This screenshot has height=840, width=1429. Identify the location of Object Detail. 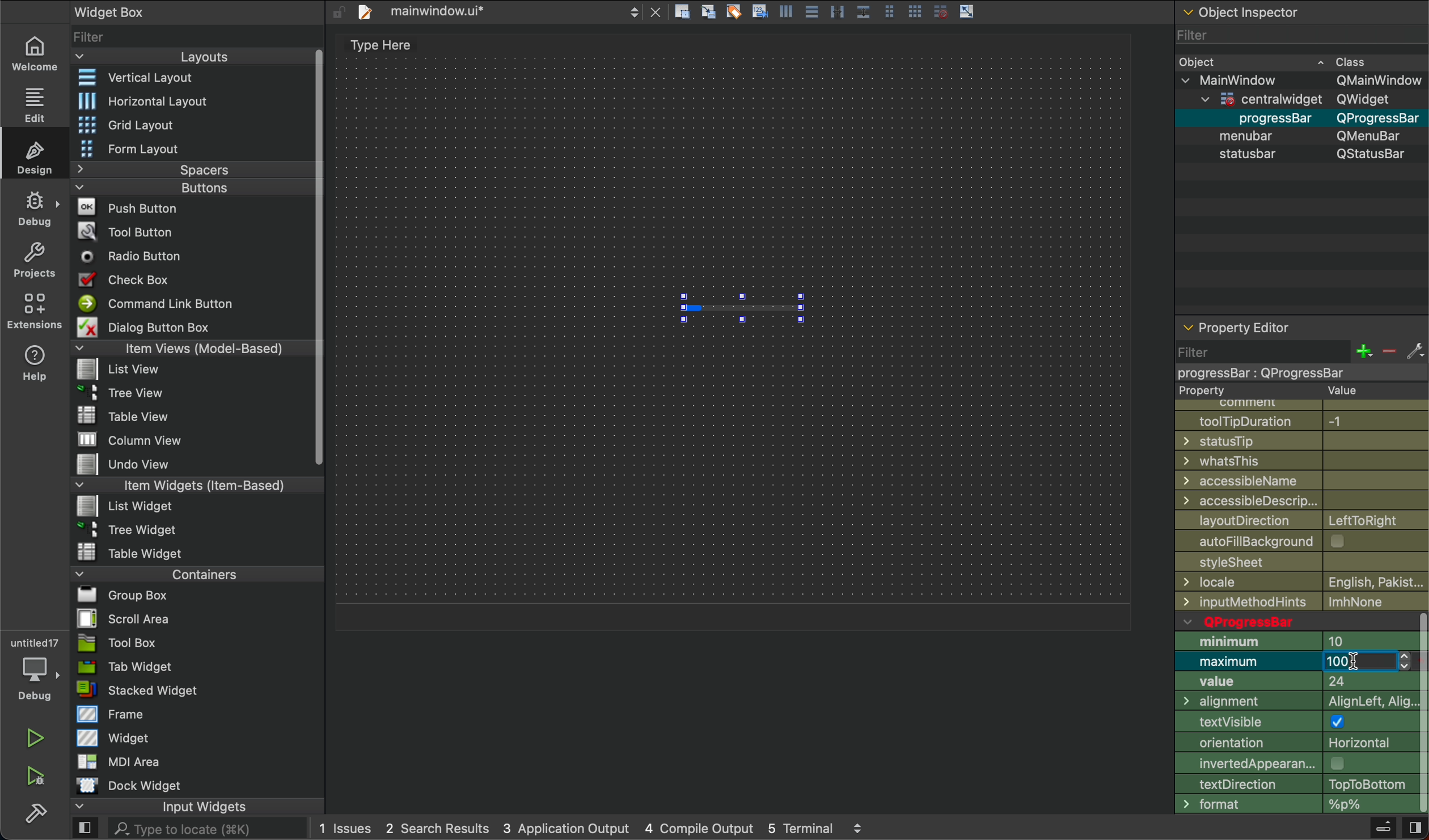
(1300, 107).